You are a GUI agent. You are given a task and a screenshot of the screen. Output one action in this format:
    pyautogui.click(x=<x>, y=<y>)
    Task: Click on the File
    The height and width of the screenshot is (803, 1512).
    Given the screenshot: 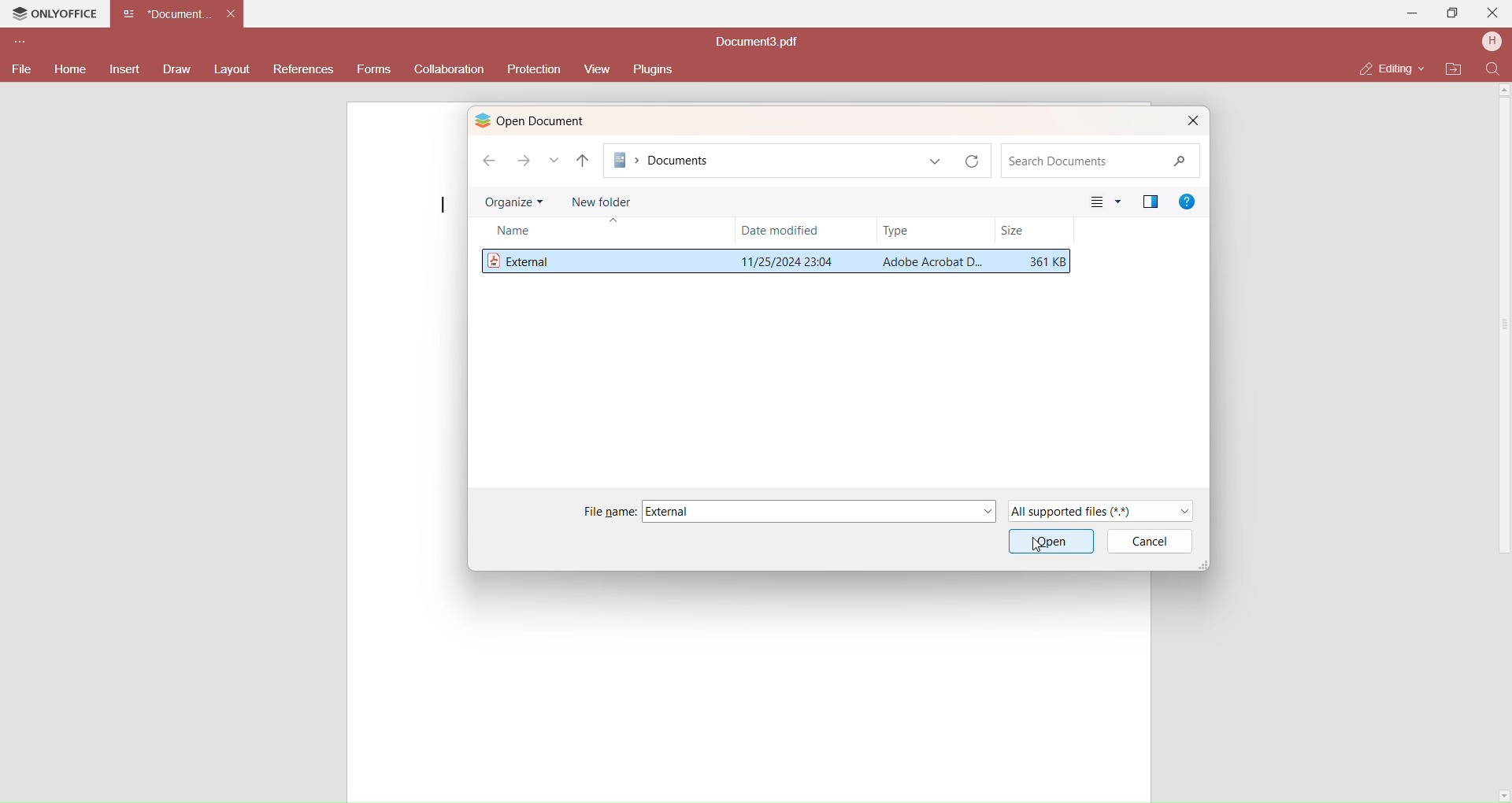 What is the action you would take?
    pyautogui.click(x=20, y=68)
    